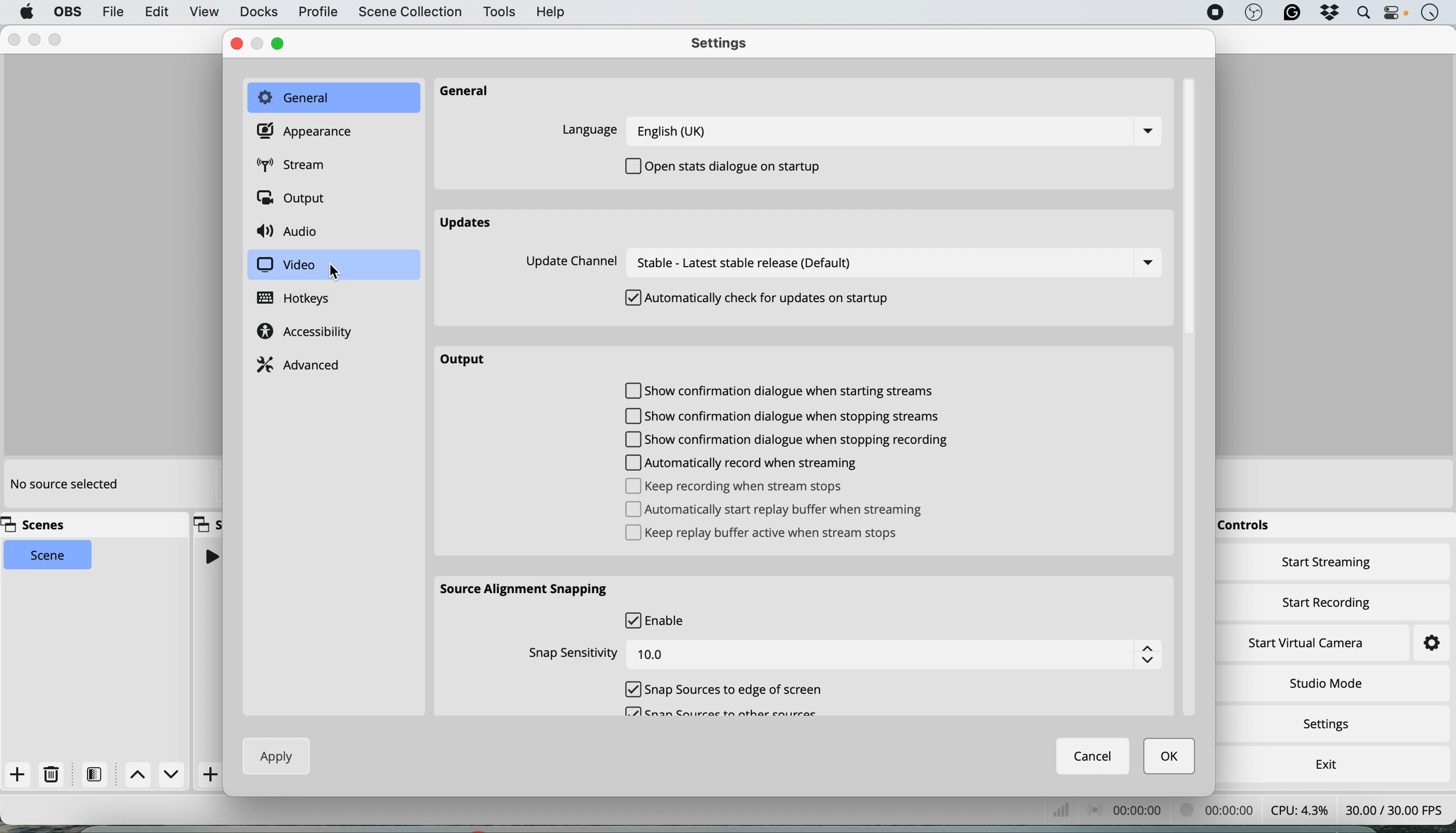  What do you see at coordinates (1291, 14) in the screenshot?
I see `grammarly` at bounding box center [1291, 14].